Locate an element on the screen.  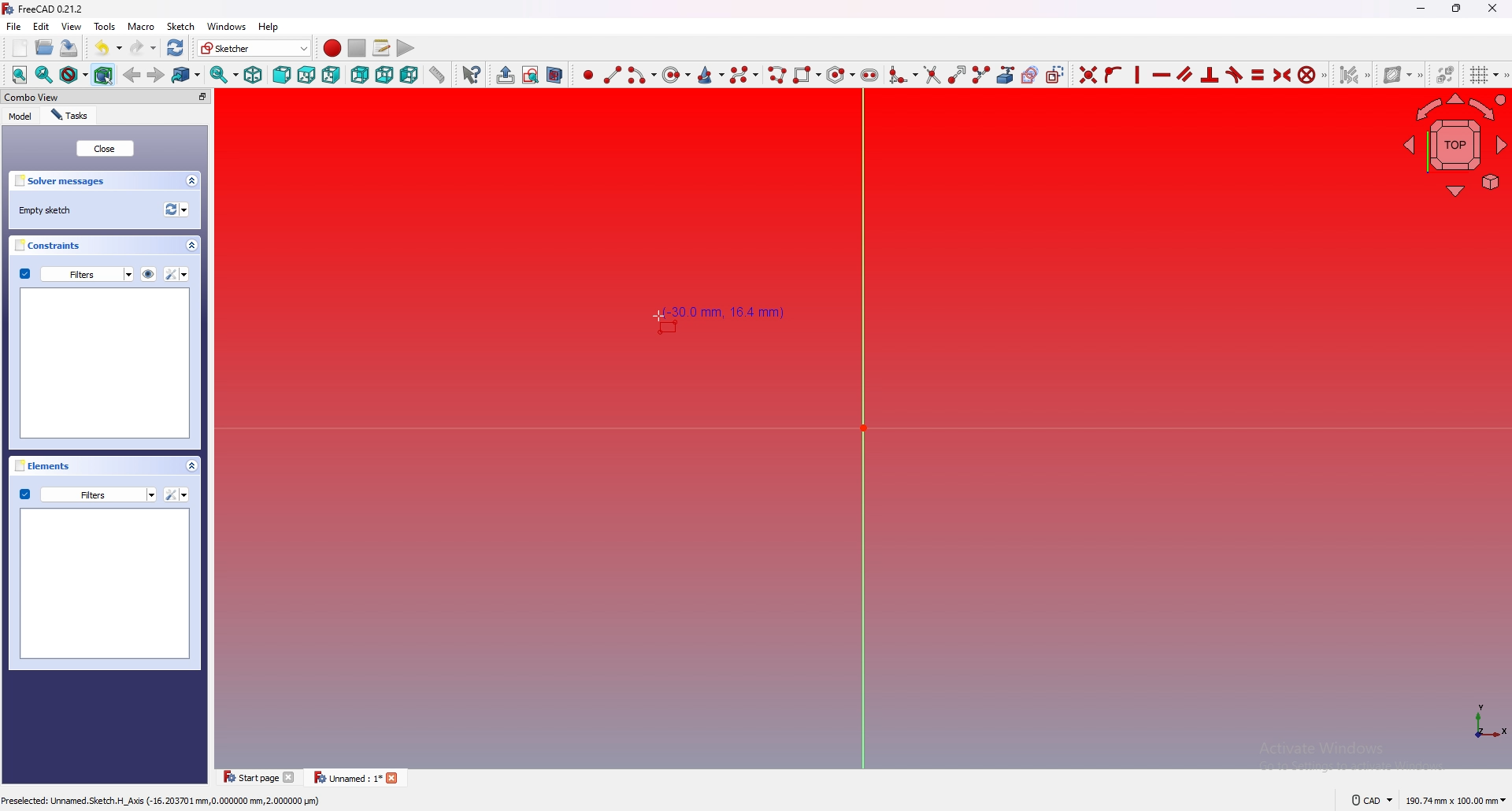
empty sketch is located at coordinates (47, 210).